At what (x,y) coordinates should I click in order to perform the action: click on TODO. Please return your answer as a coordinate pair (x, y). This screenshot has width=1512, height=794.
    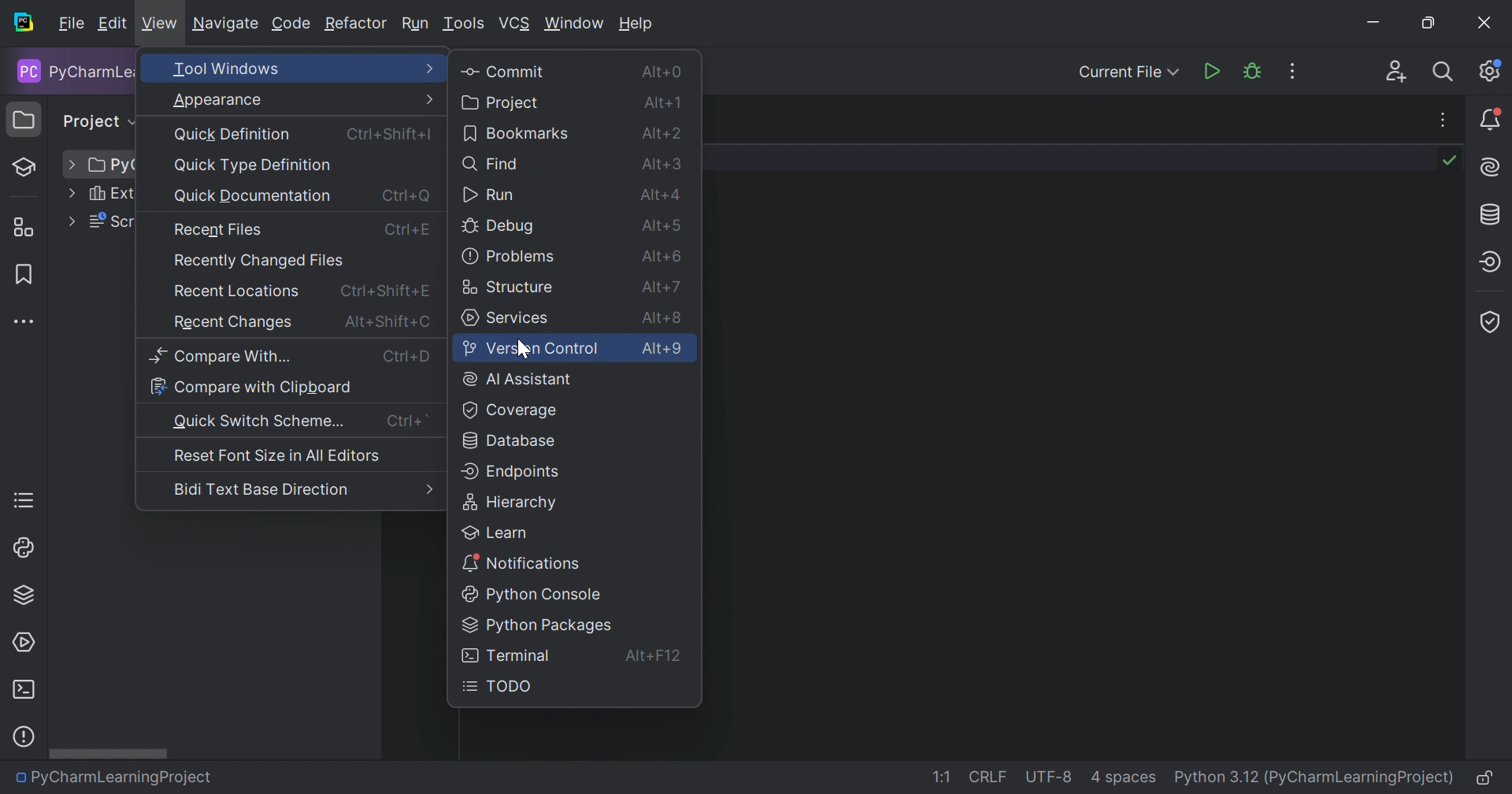
    Looking at the image, I should click on (502, 687).